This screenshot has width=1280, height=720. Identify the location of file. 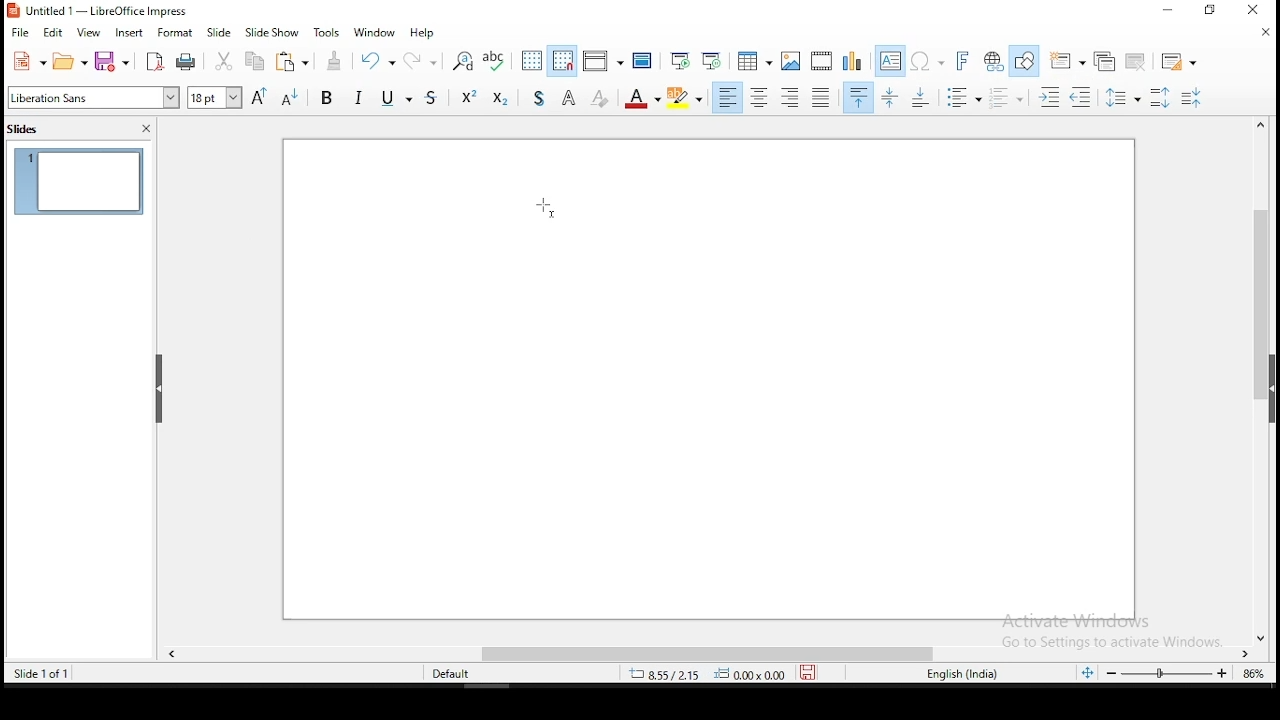
(20, 31).